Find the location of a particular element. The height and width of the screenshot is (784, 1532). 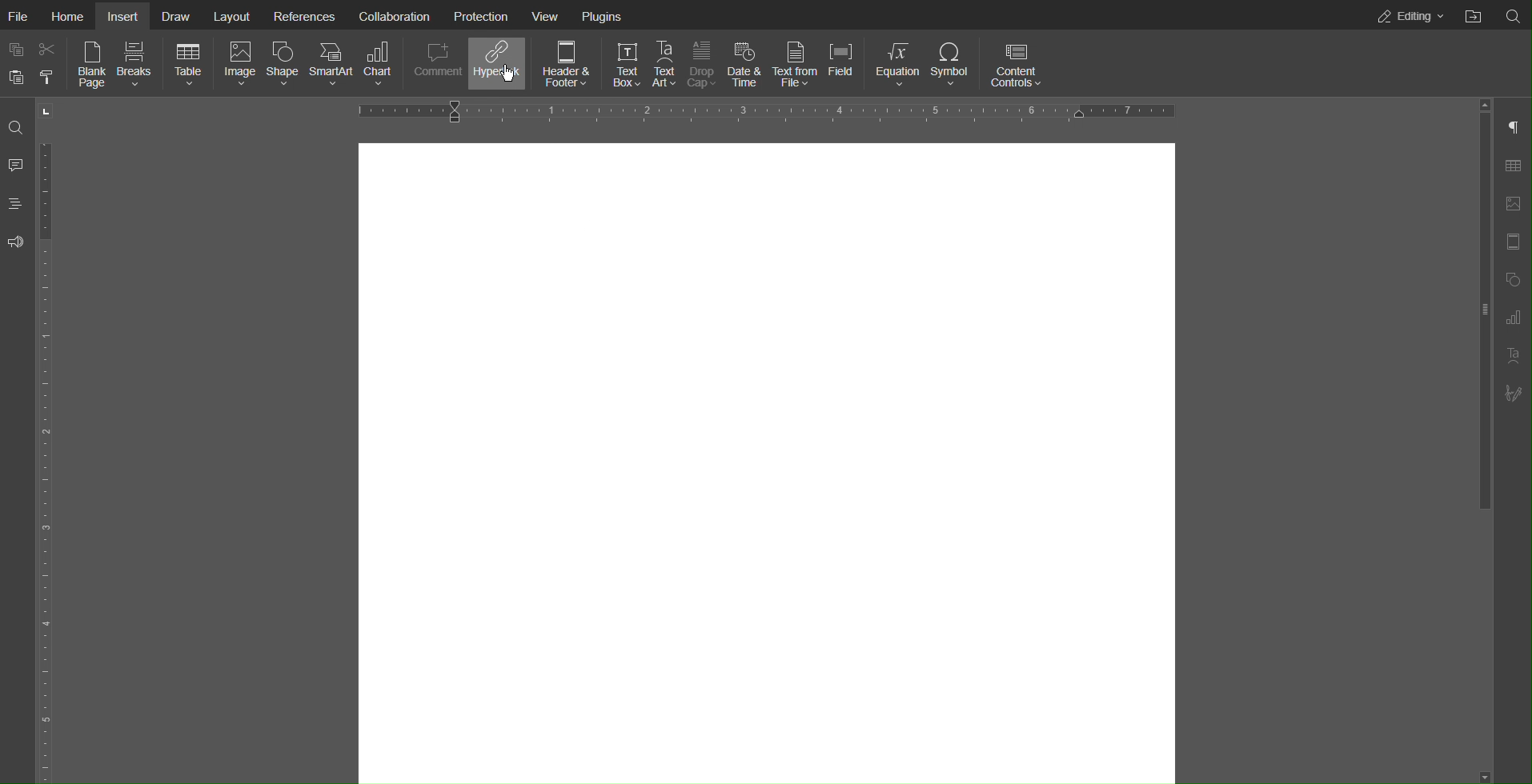

Shape Settings is located at coordinates (1512, 279).